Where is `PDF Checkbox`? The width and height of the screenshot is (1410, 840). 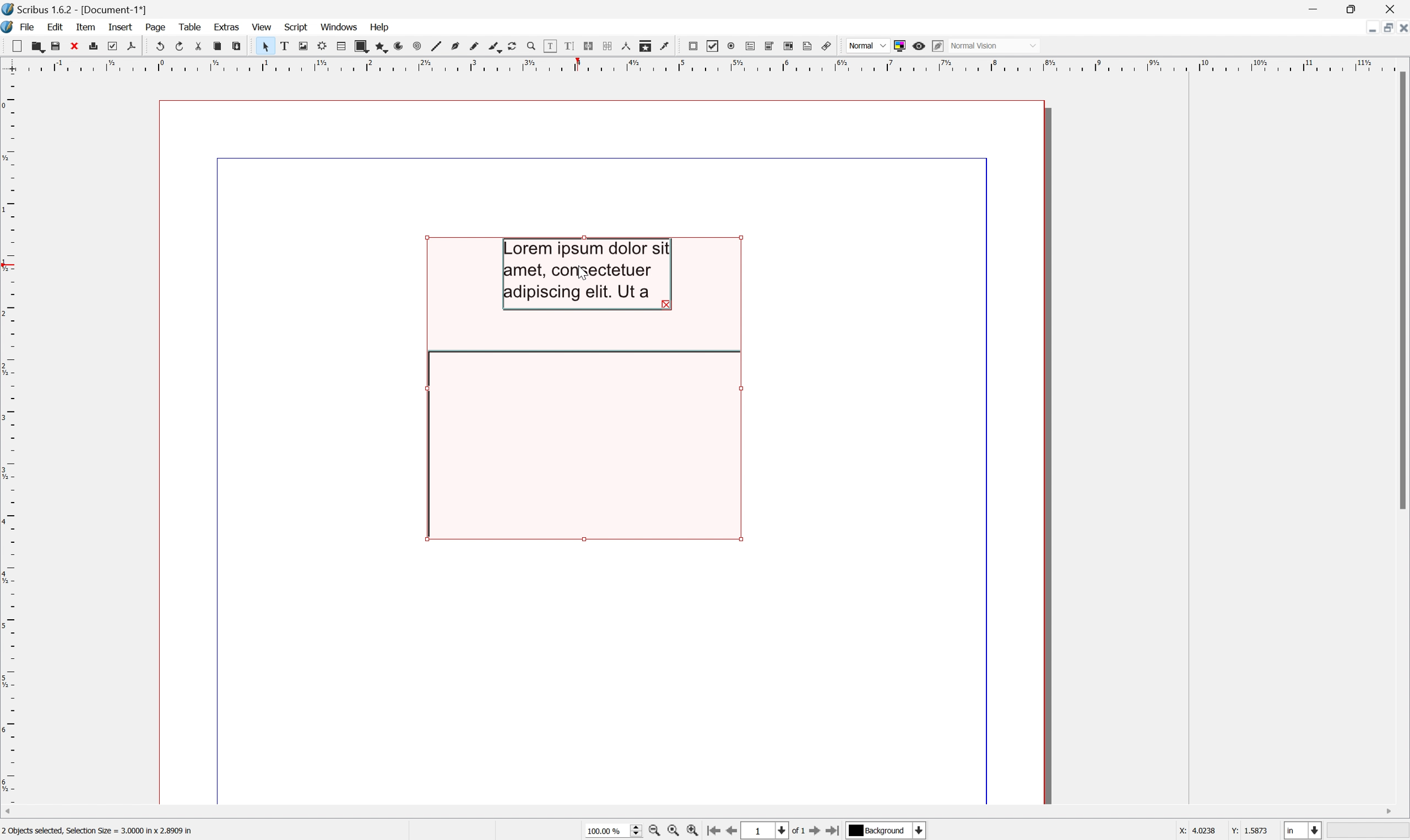
PDF Checkbox is located at coordinates (713, 46).